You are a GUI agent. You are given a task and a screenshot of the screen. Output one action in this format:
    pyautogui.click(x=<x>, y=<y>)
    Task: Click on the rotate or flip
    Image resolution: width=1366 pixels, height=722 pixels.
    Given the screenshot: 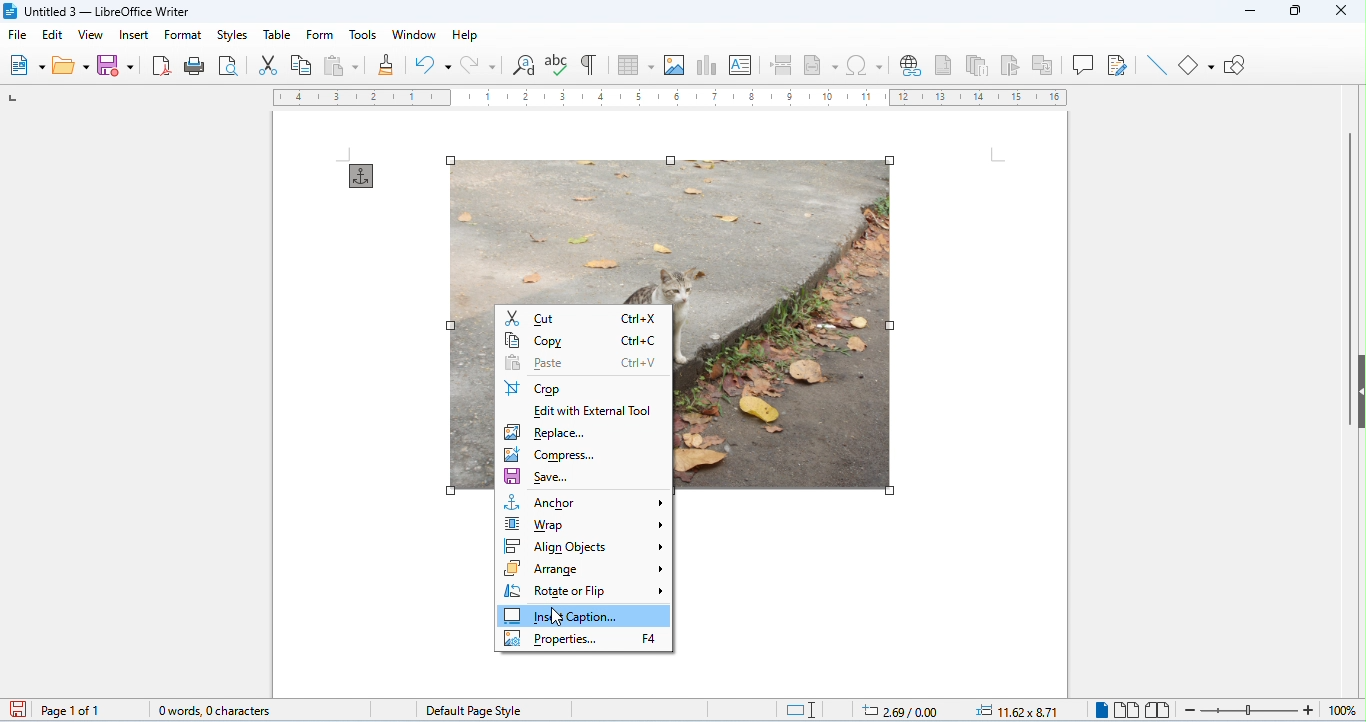 What is the action you would take?
    pyautogui.click(x=586, y=590)
    